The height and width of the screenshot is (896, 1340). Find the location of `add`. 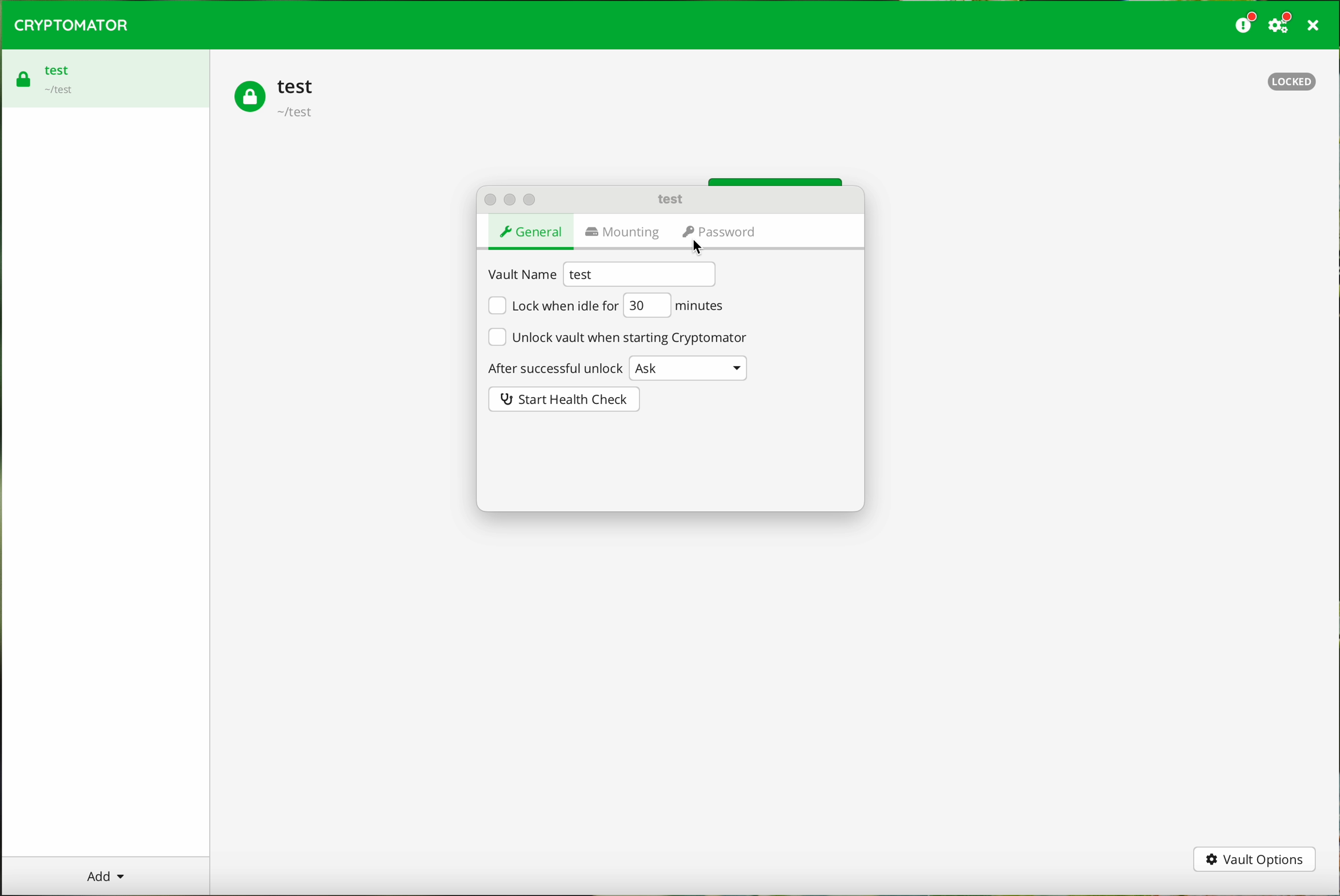

add is located at coordinates (103, 875).